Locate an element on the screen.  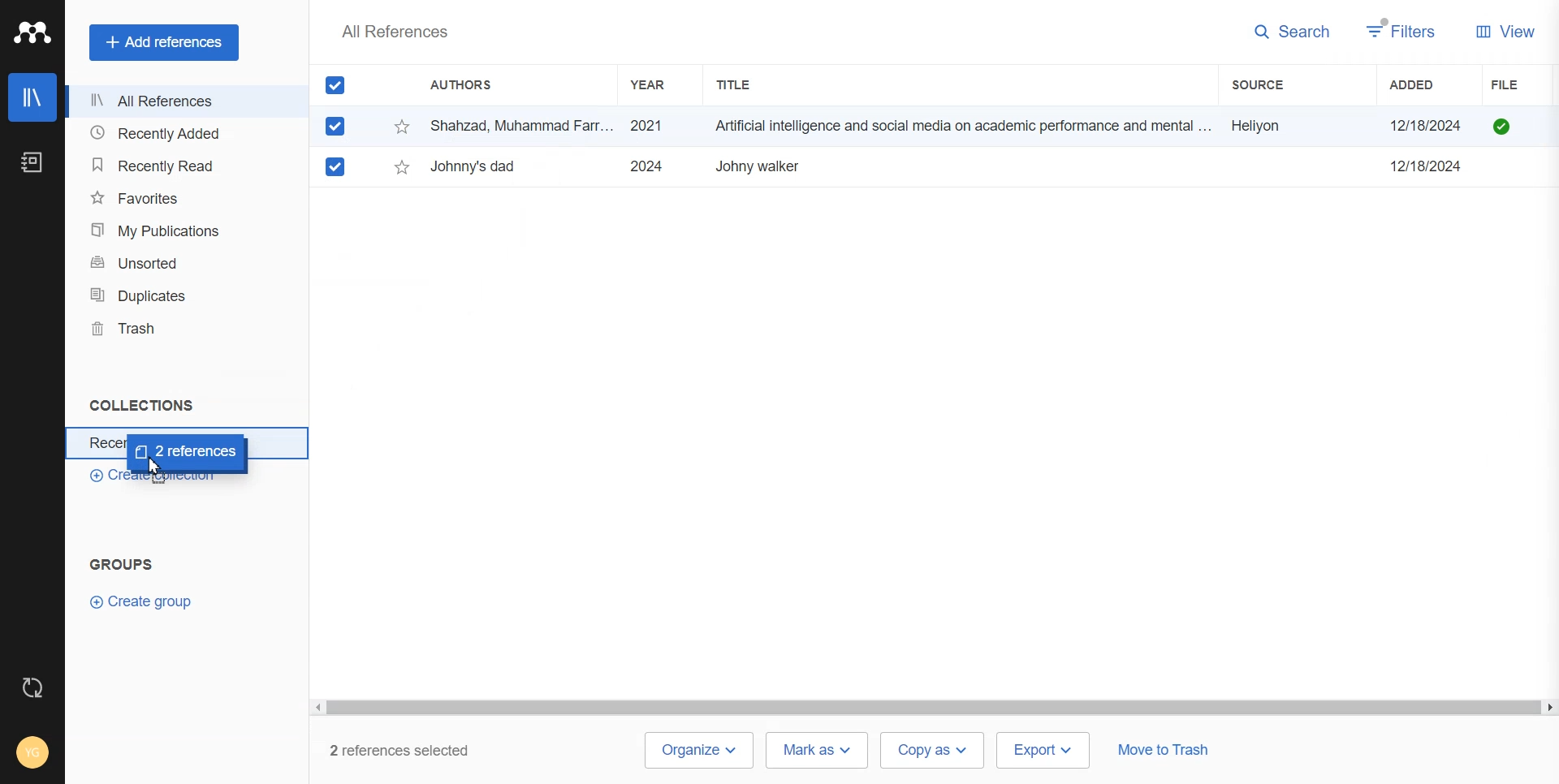
Export is located at coordinates (1044, 749).